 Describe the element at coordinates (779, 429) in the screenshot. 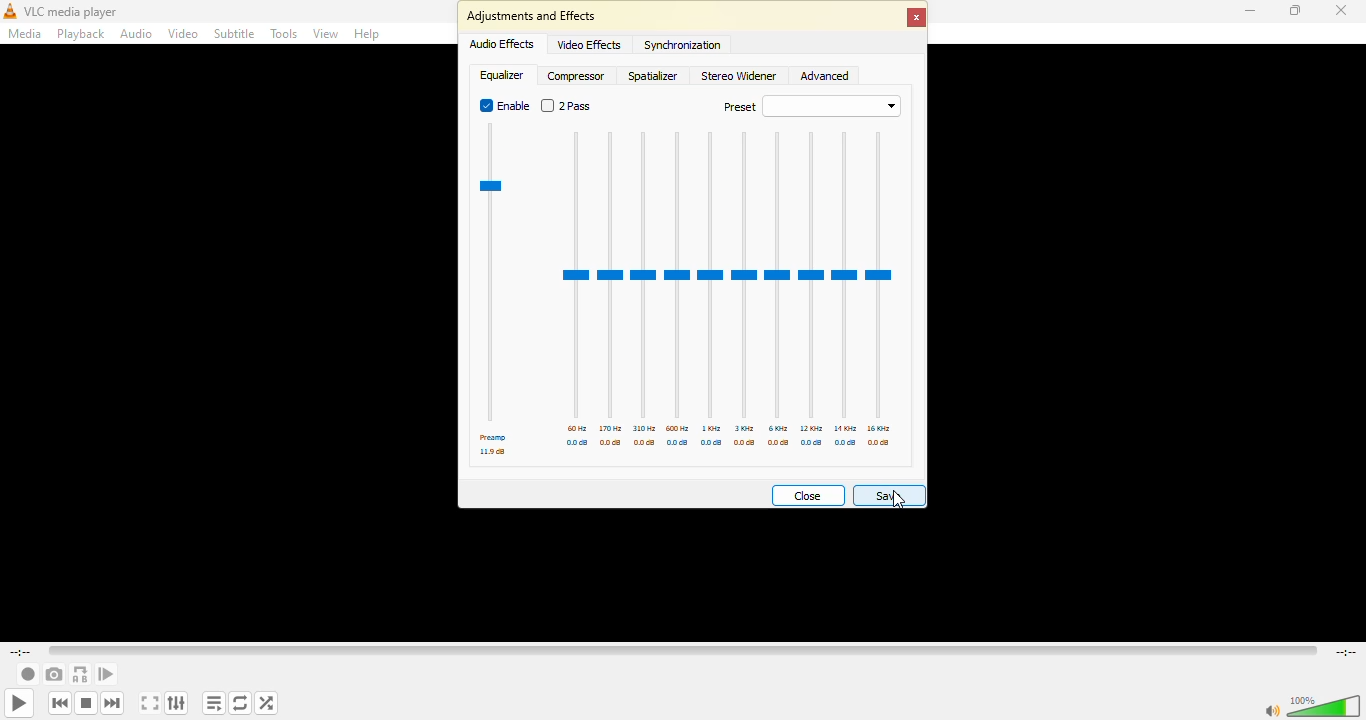

I see `6 khz` at that location.